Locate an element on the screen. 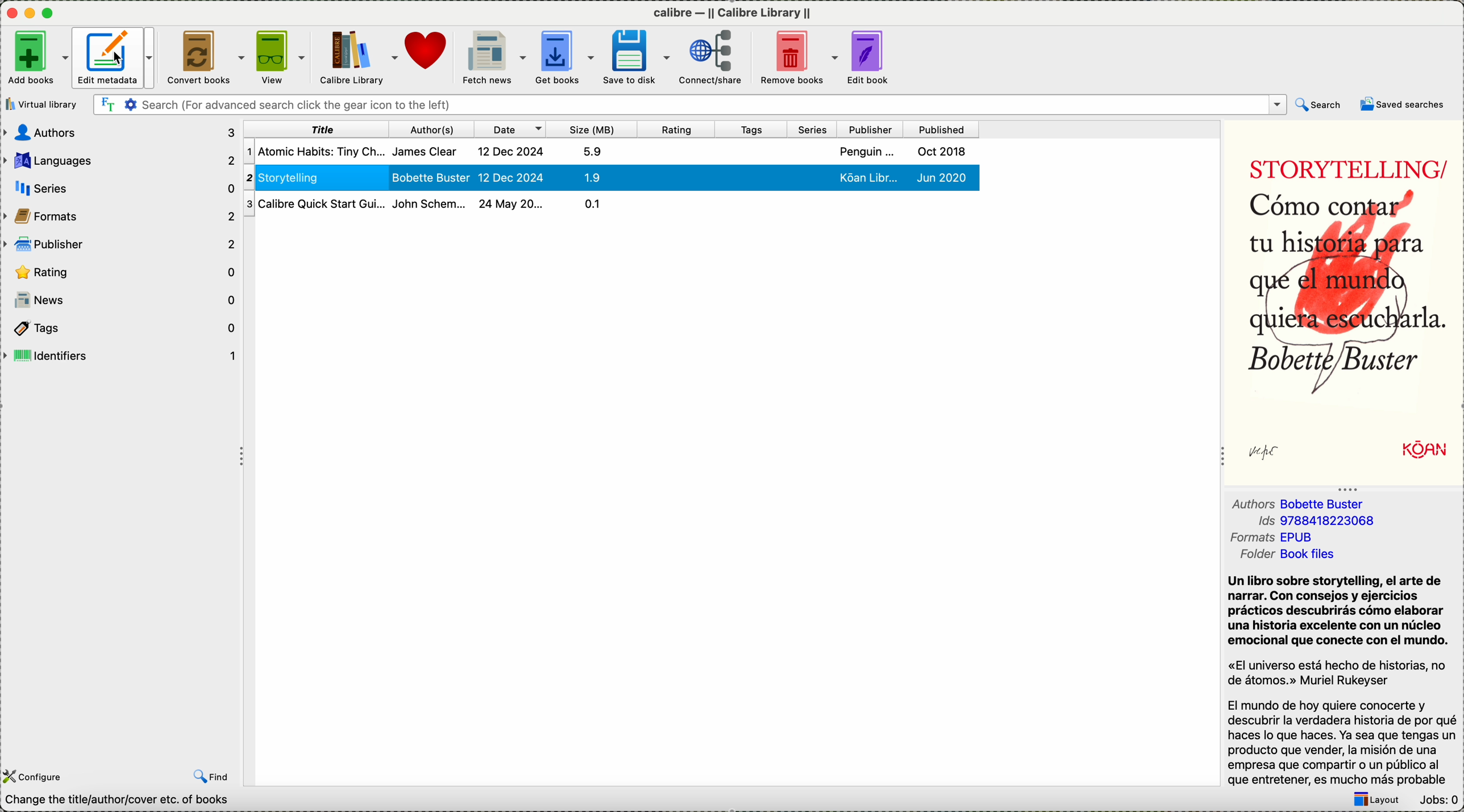  series is located at coordinates (814, 131).